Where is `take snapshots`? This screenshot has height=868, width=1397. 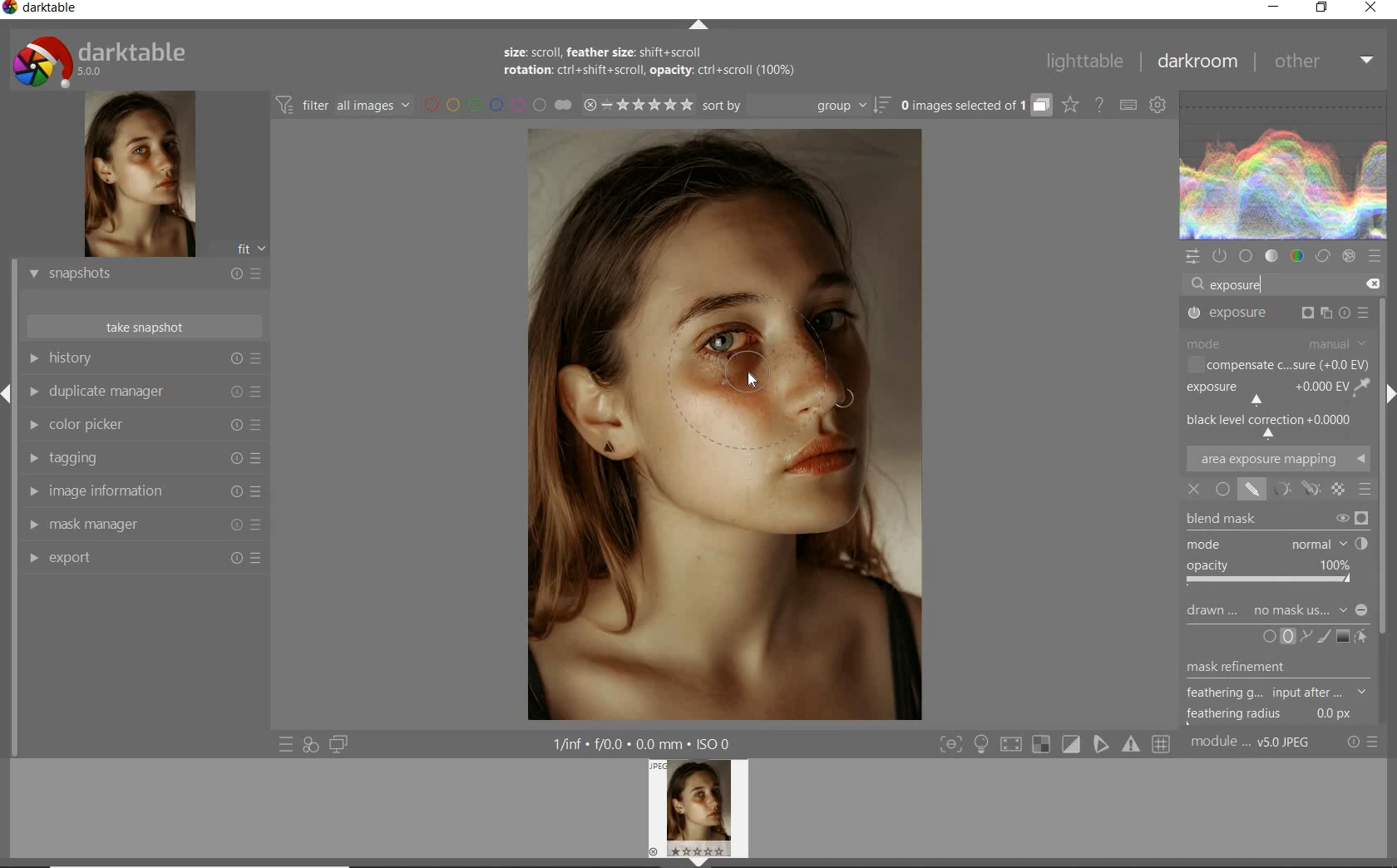
take snapshots is located at coordinates (146, 327).